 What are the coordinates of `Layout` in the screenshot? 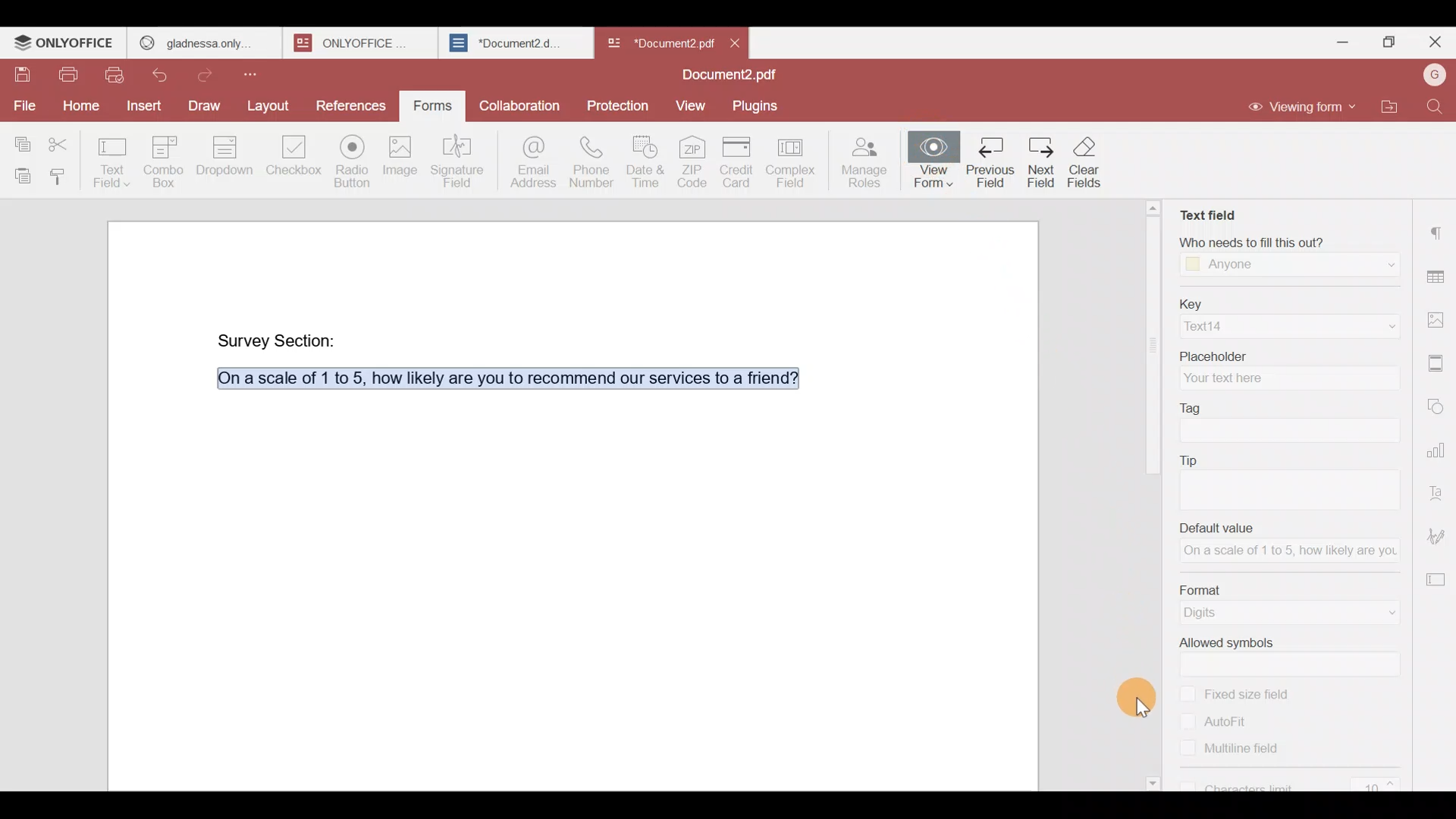 It's located at (269, 102).